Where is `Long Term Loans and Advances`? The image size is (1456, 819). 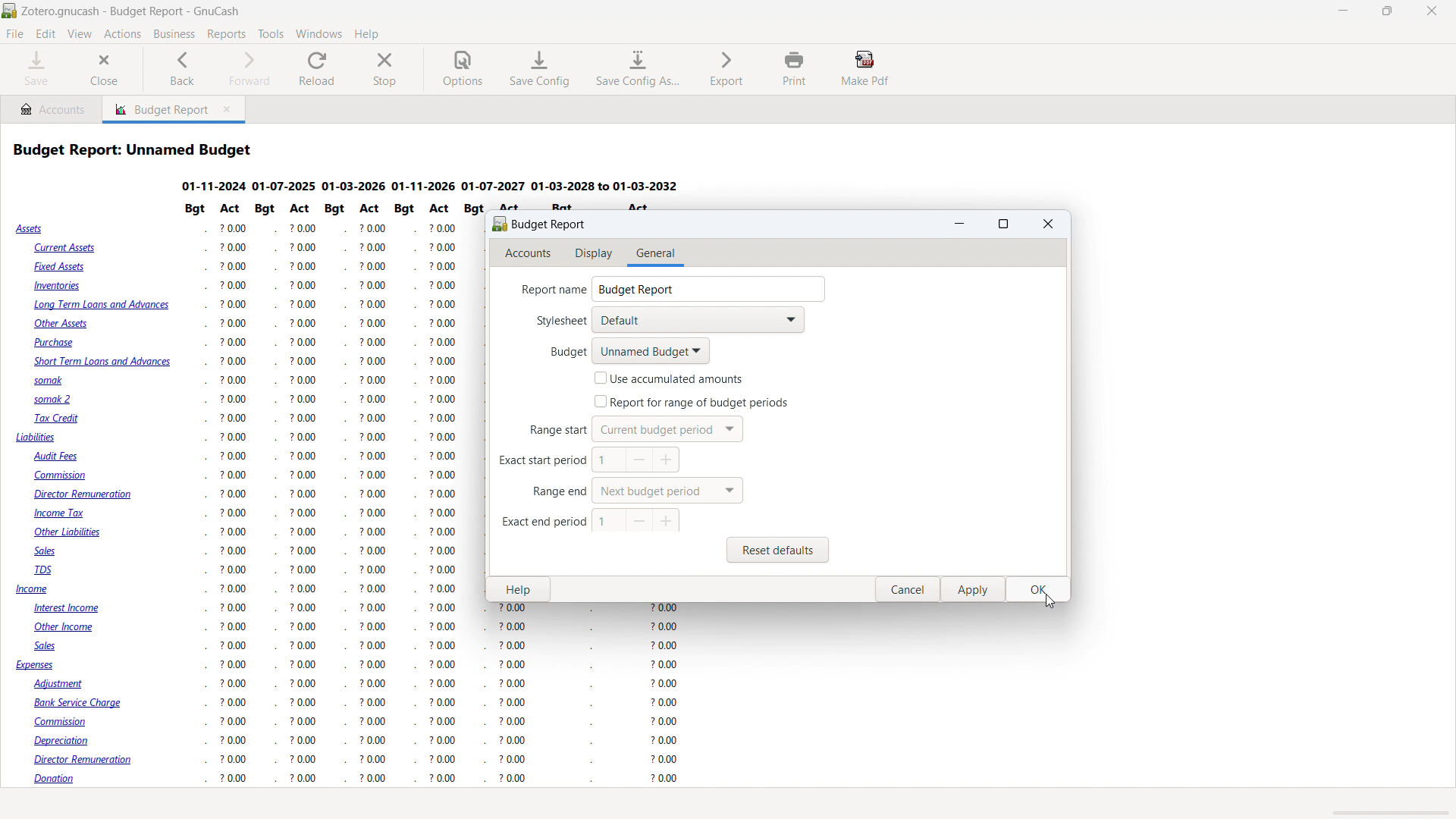 Long Term Loans and Advances is located at coordinates (102, 307).